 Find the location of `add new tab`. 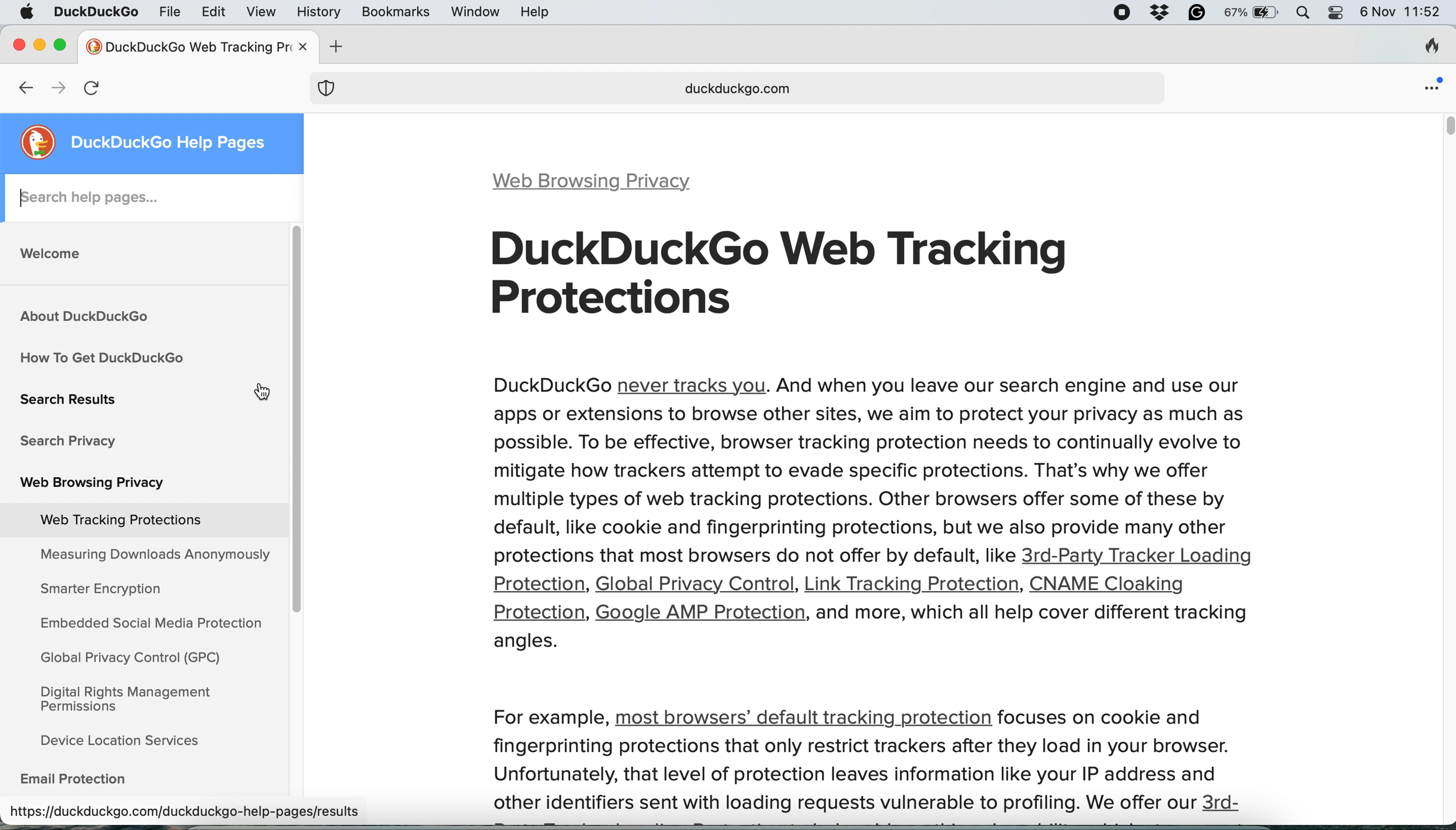

add new tab is located at coordinates (338, 46).